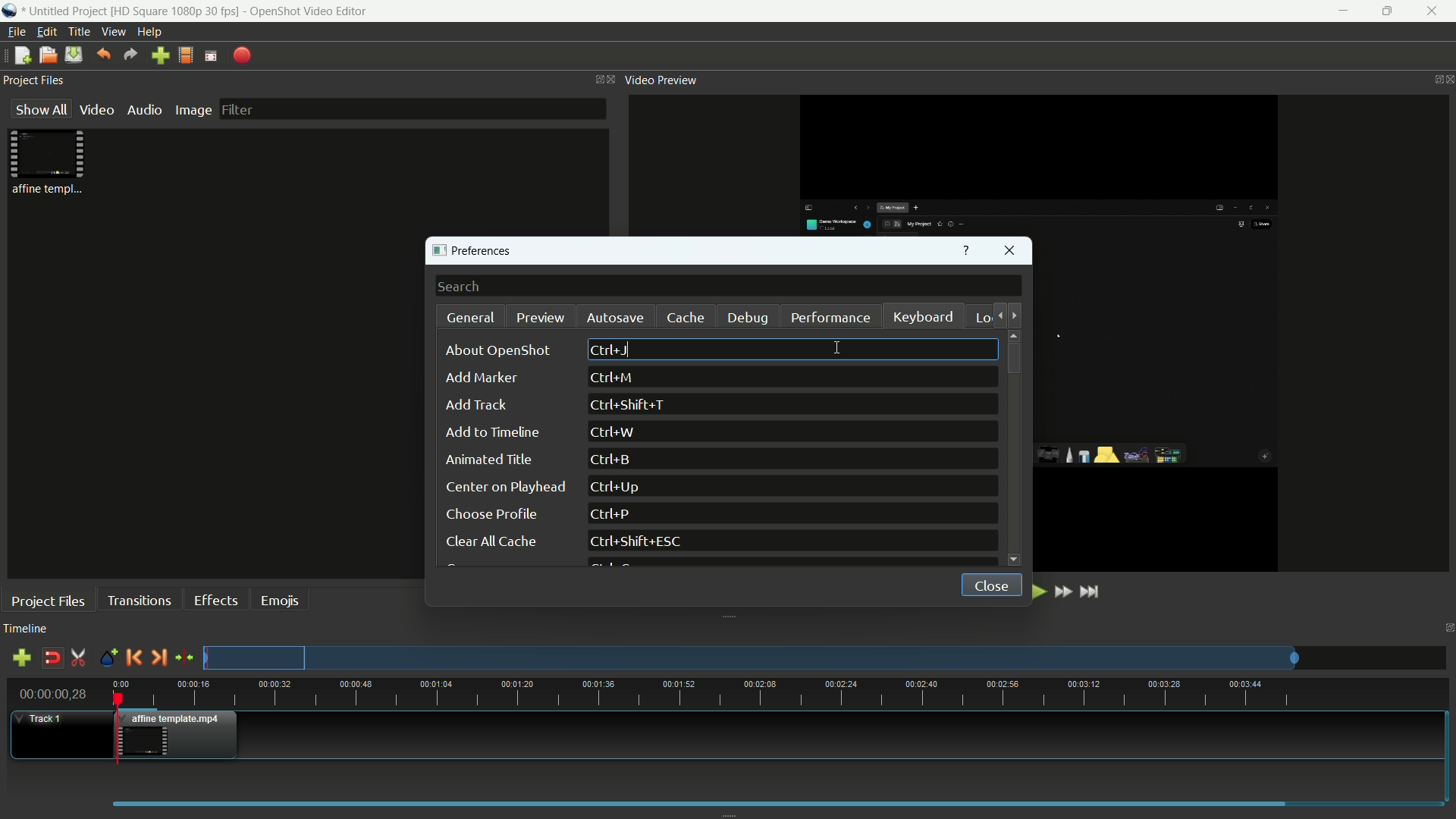 This screenshot has height=819, width=1456. What do you see at coordinates (608, 80) in the screenshot?
I see `close project files` at bounding box center [608, 80].